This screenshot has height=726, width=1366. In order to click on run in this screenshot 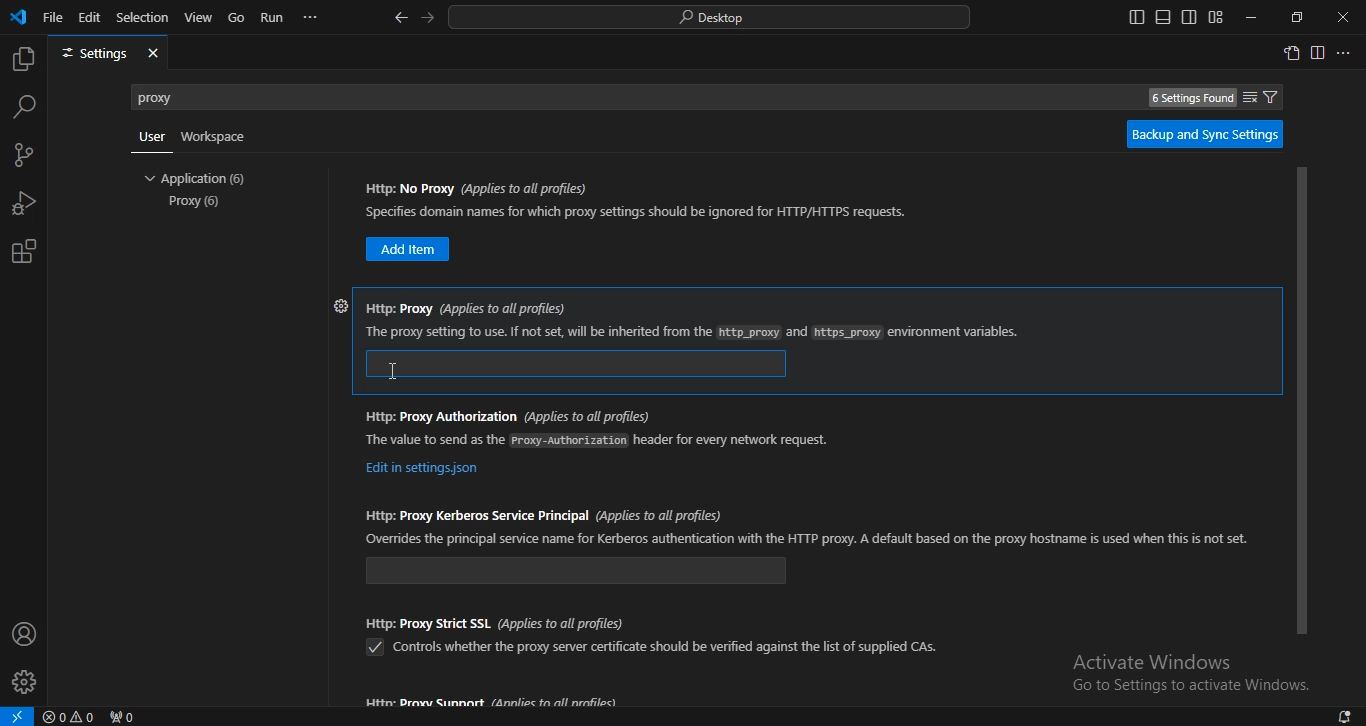, I will do `click(273, 18)`.